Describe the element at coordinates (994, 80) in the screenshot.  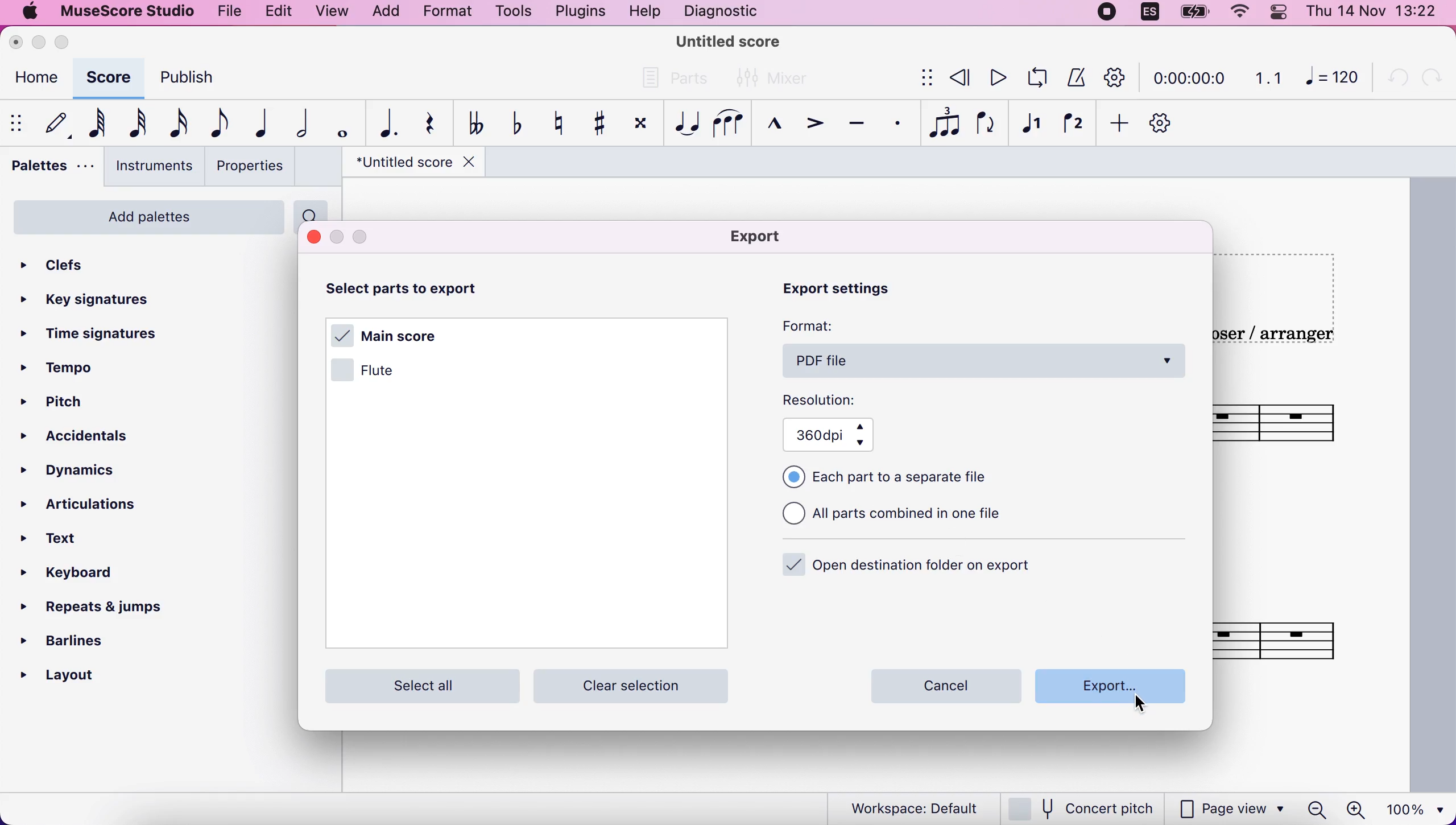
I see `play` at that location.